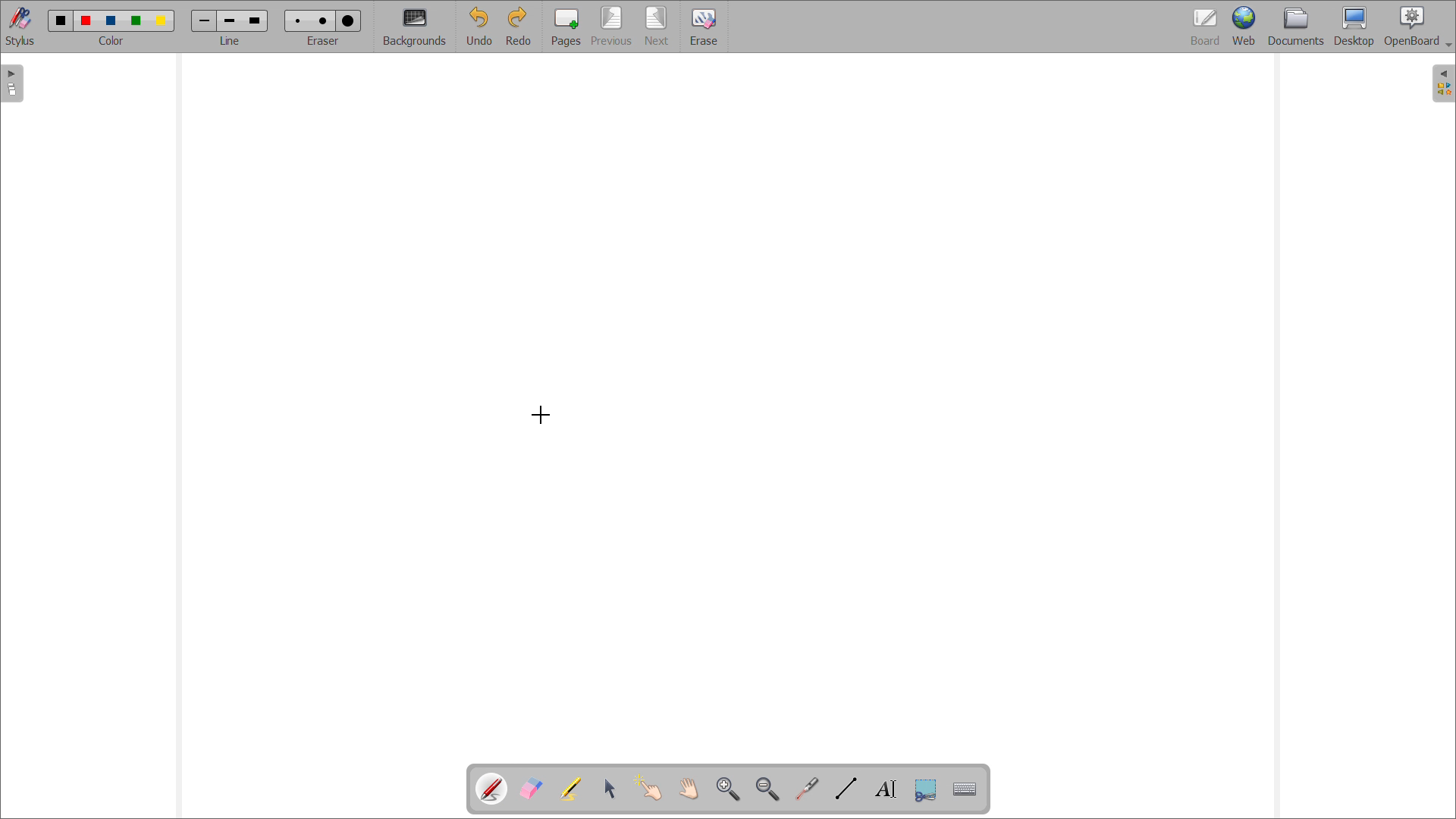  I want to click on open pages view, so click(13, 83).